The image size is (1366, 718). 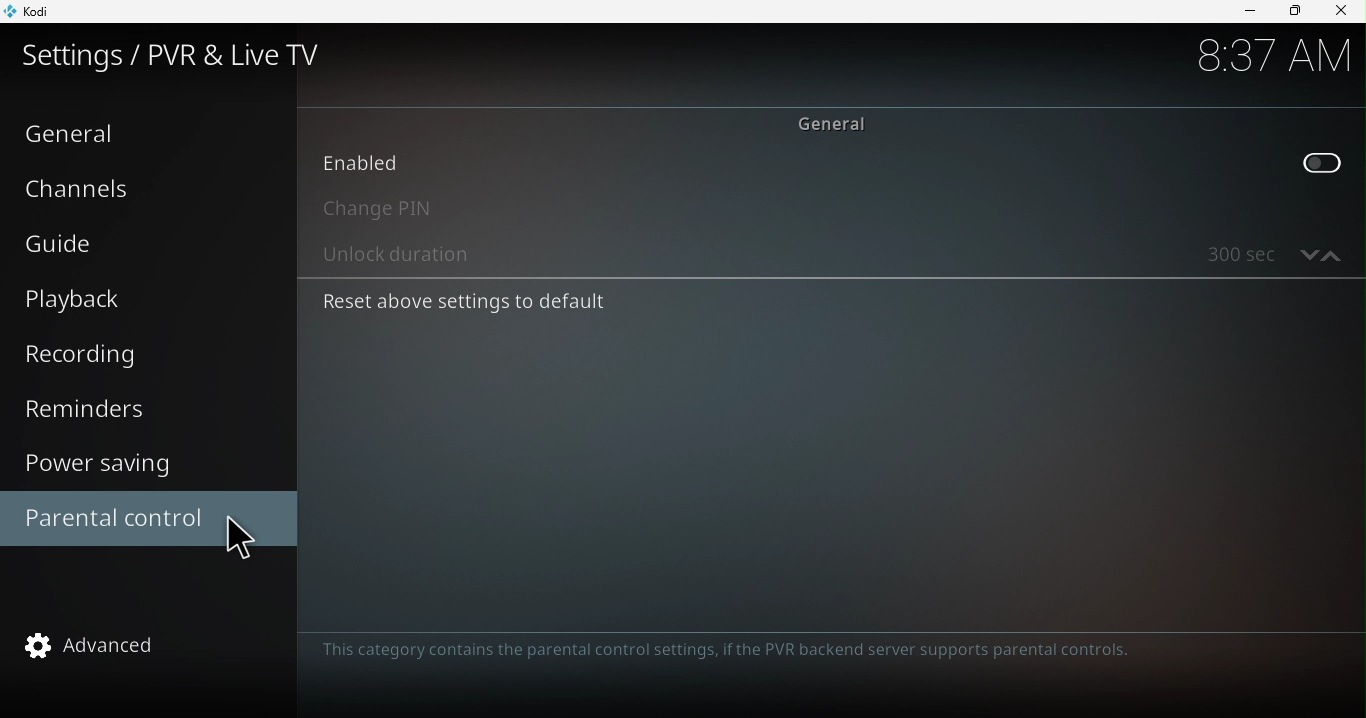 I want to click on Kodi icon, so click(x=41, y=10).